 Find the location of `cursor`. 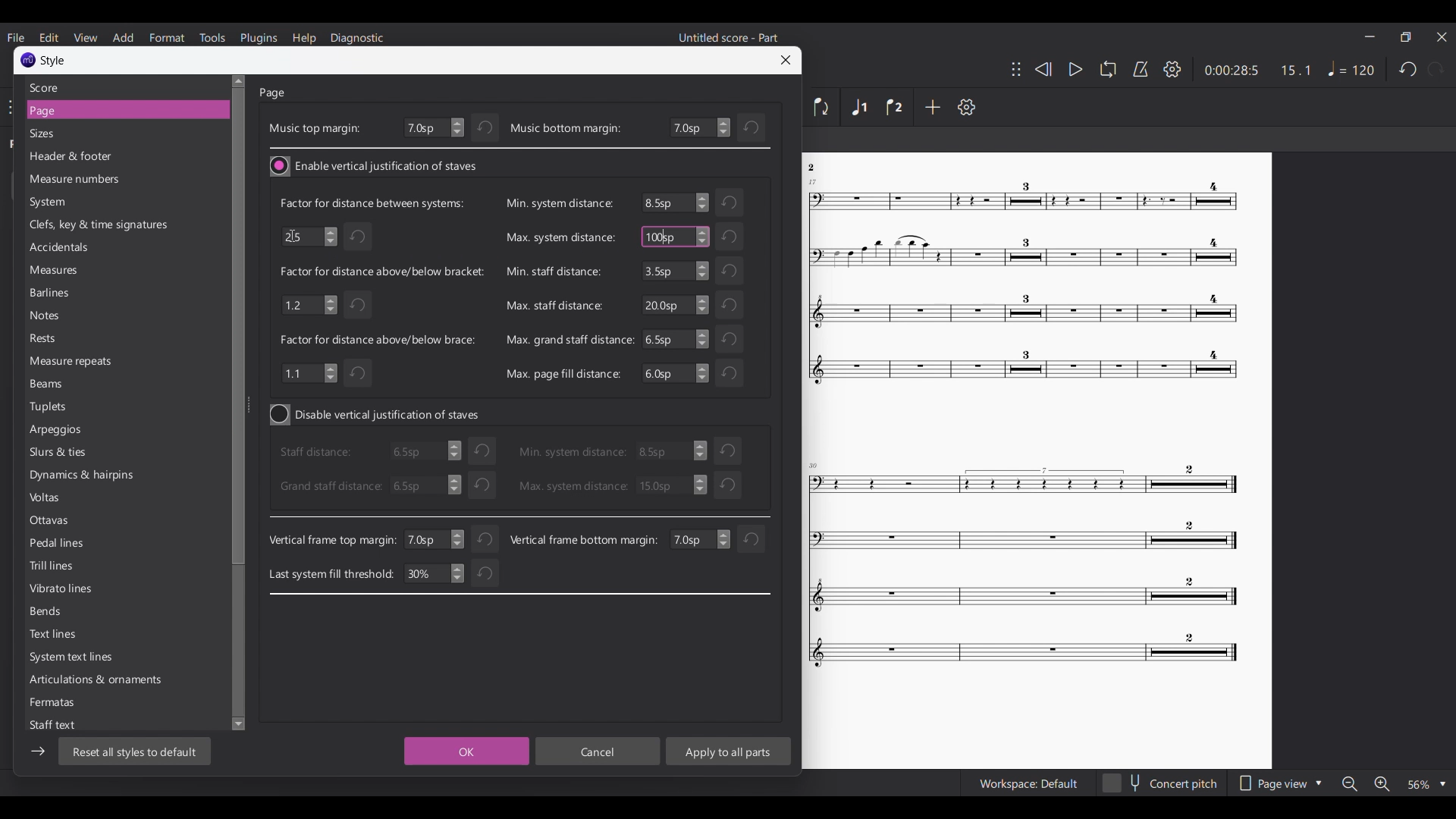

cursor is located at coordinates (658, 239).